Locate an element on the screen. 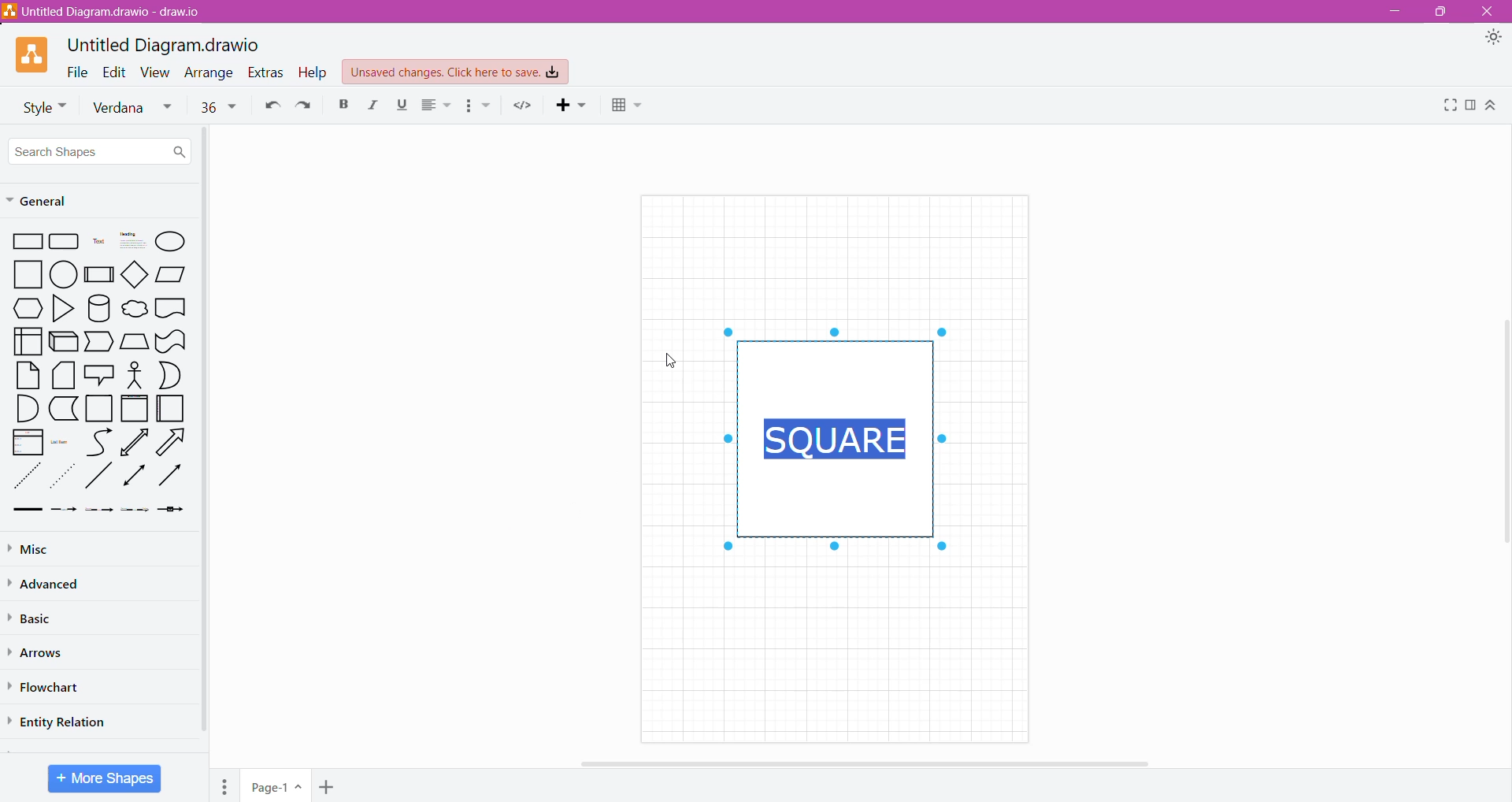 This screenshot has width=1512, height=802. Table is located at coordinates (627, 108).